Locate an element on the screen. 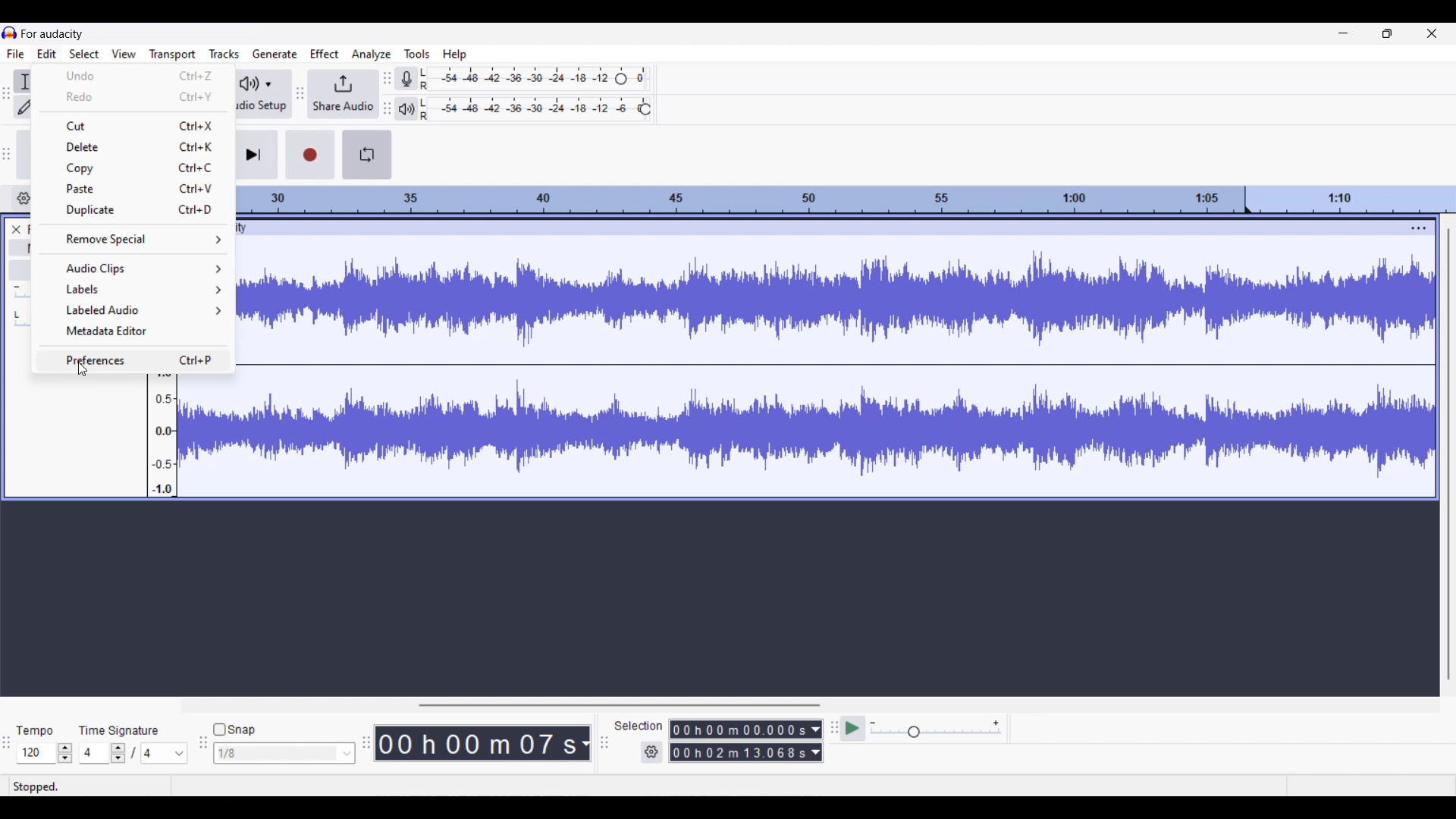  Mute is located at coordinates (24, 248).